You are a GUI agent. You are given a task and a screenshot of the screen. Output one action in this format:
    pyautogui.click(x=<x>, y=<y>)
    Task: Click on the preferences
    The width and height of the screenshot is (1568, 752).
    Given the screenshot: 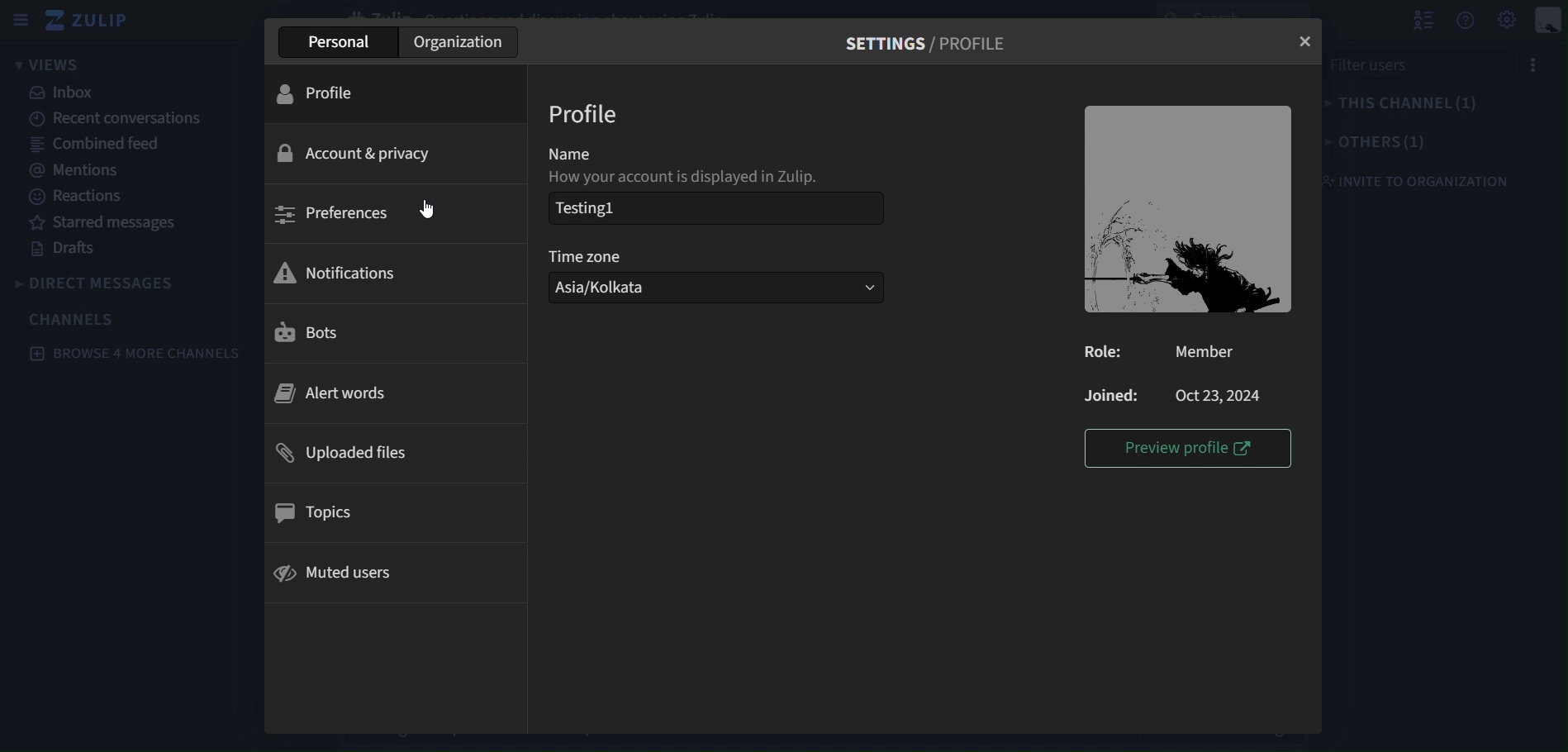 What is the action you would take?
    pyautogui.click(x=394, y=213)
    